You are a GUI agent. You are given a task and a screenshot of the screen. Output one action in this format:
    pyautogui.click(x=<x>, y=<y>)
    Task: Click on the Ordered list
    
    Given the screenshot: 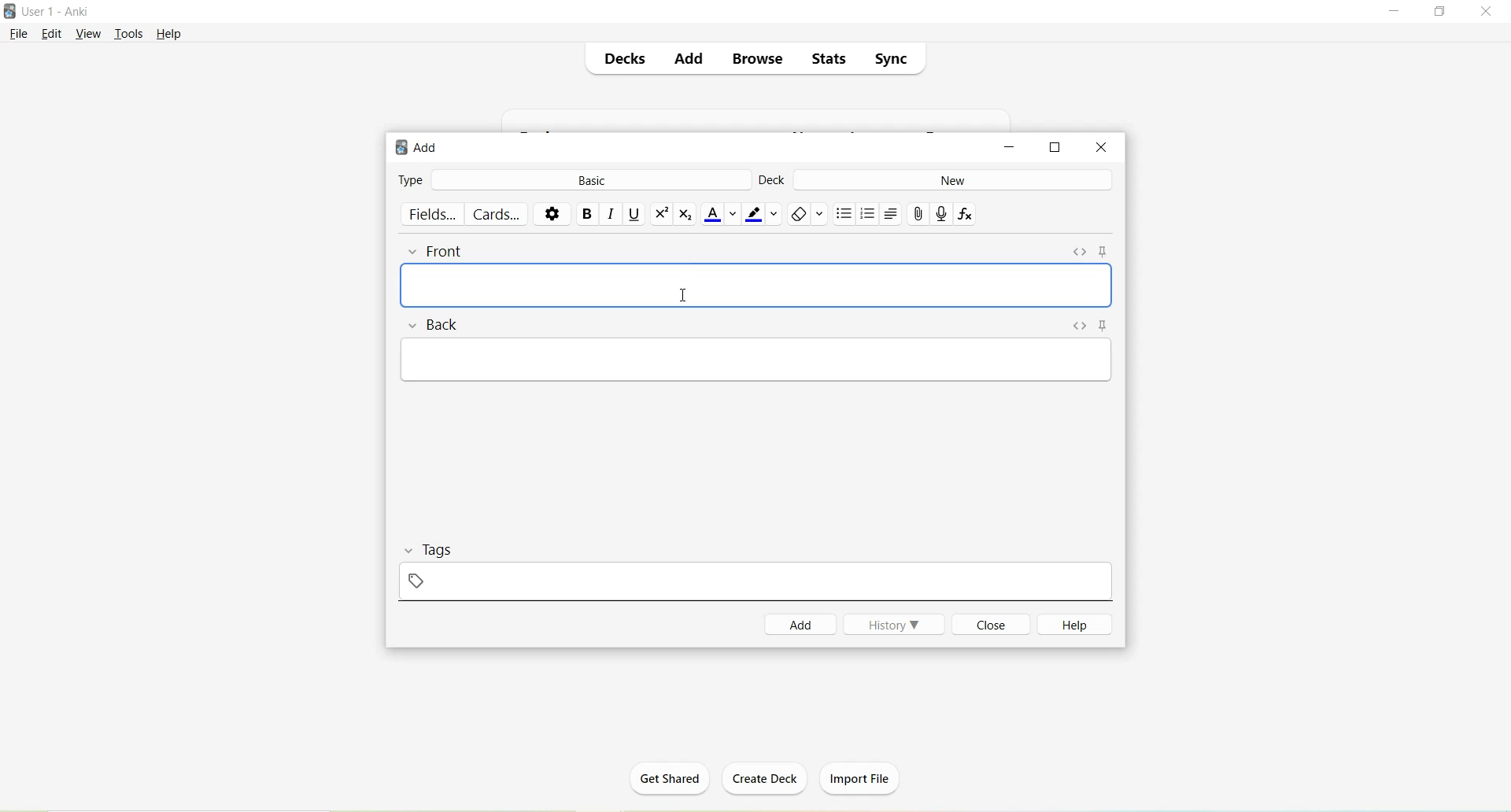 What is the action you would take?
    pyautogui.click(x=868, y=215)
    